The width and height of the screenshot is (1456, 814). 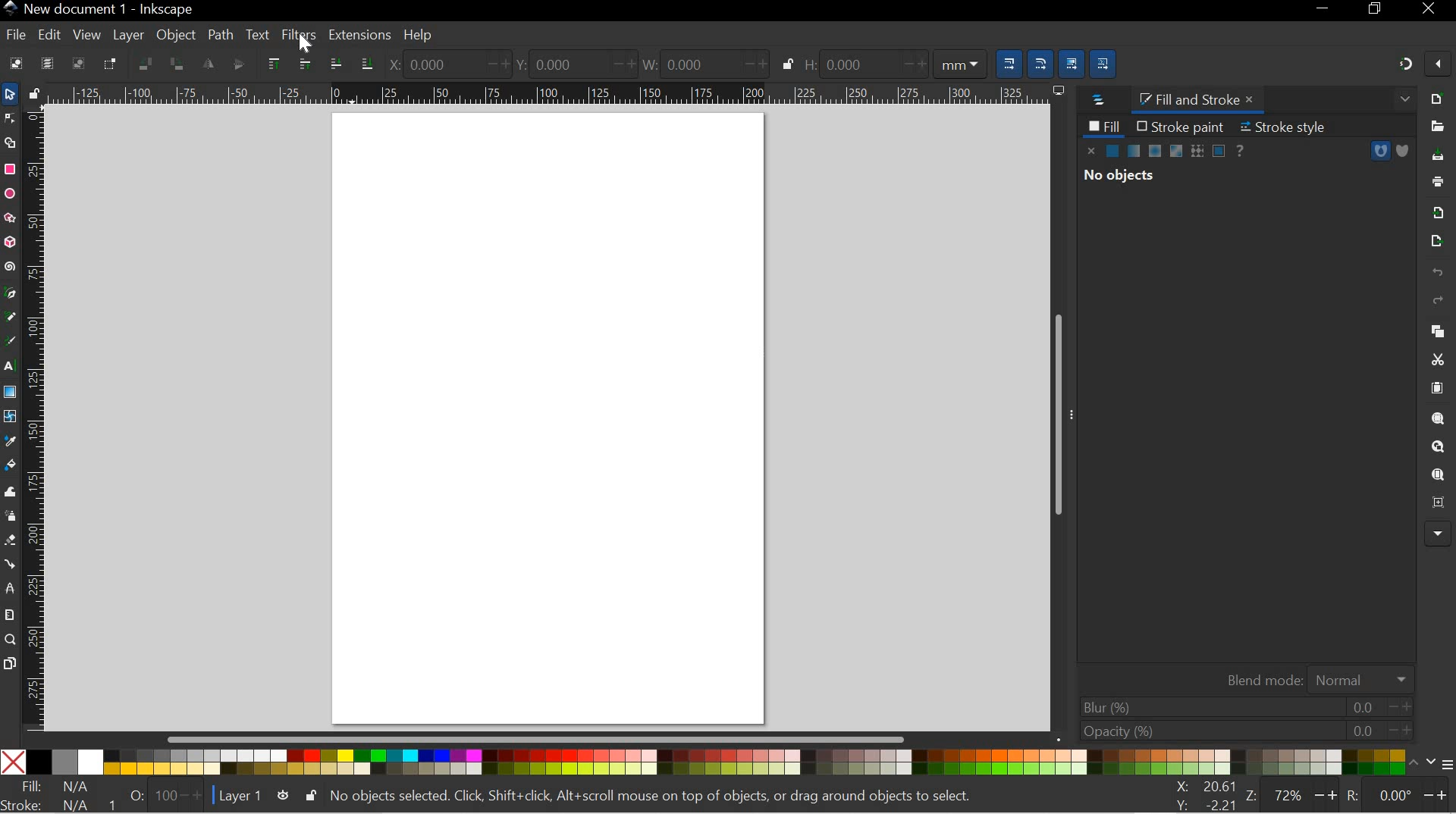 What do you see at coordinates (99, 9) in the screenshot?
I see `FILE NAME` at bounding box center [99, 9].